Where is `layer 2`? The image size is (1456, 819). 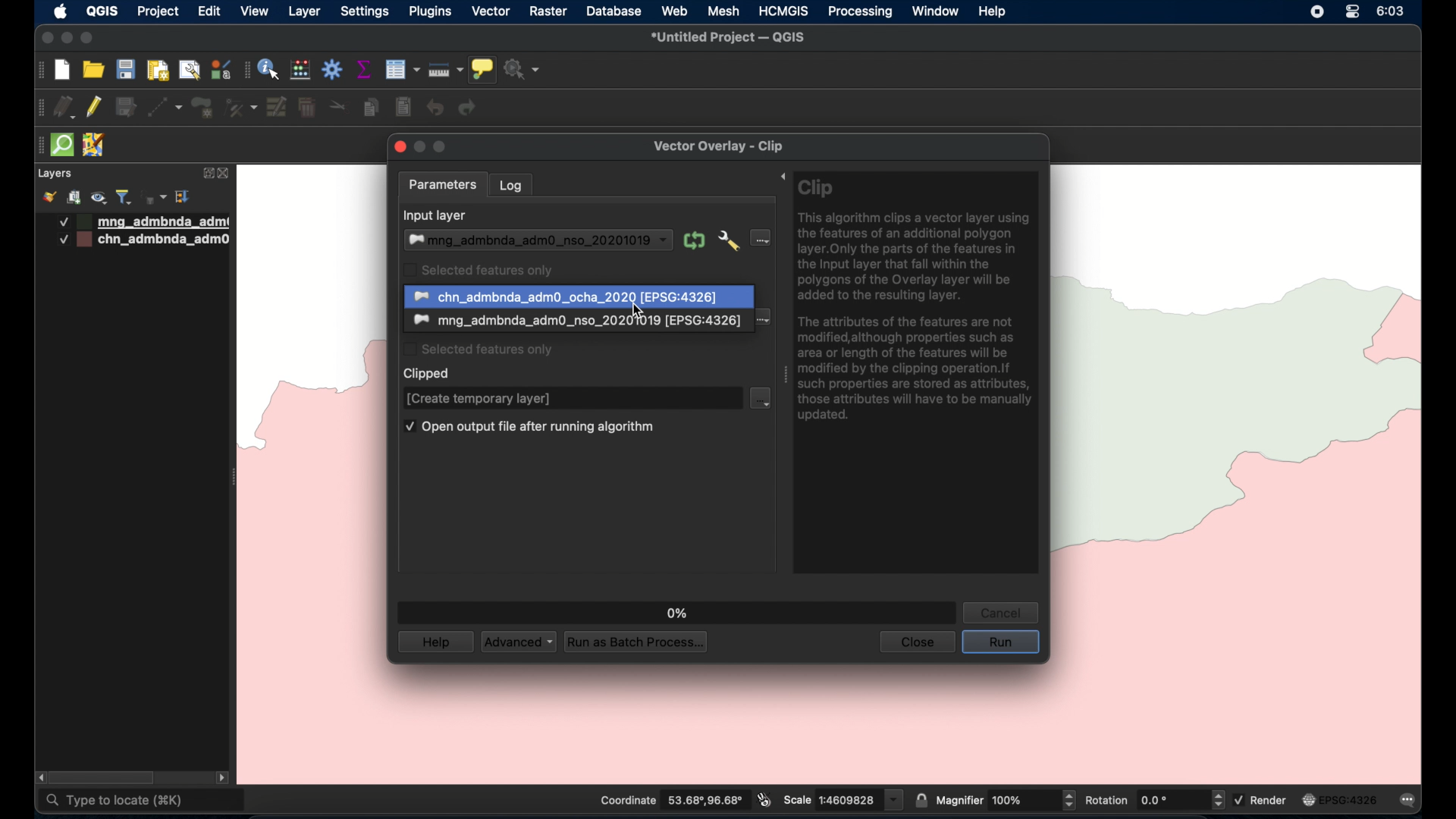
layer 2 is located at coordinates (146, 240).